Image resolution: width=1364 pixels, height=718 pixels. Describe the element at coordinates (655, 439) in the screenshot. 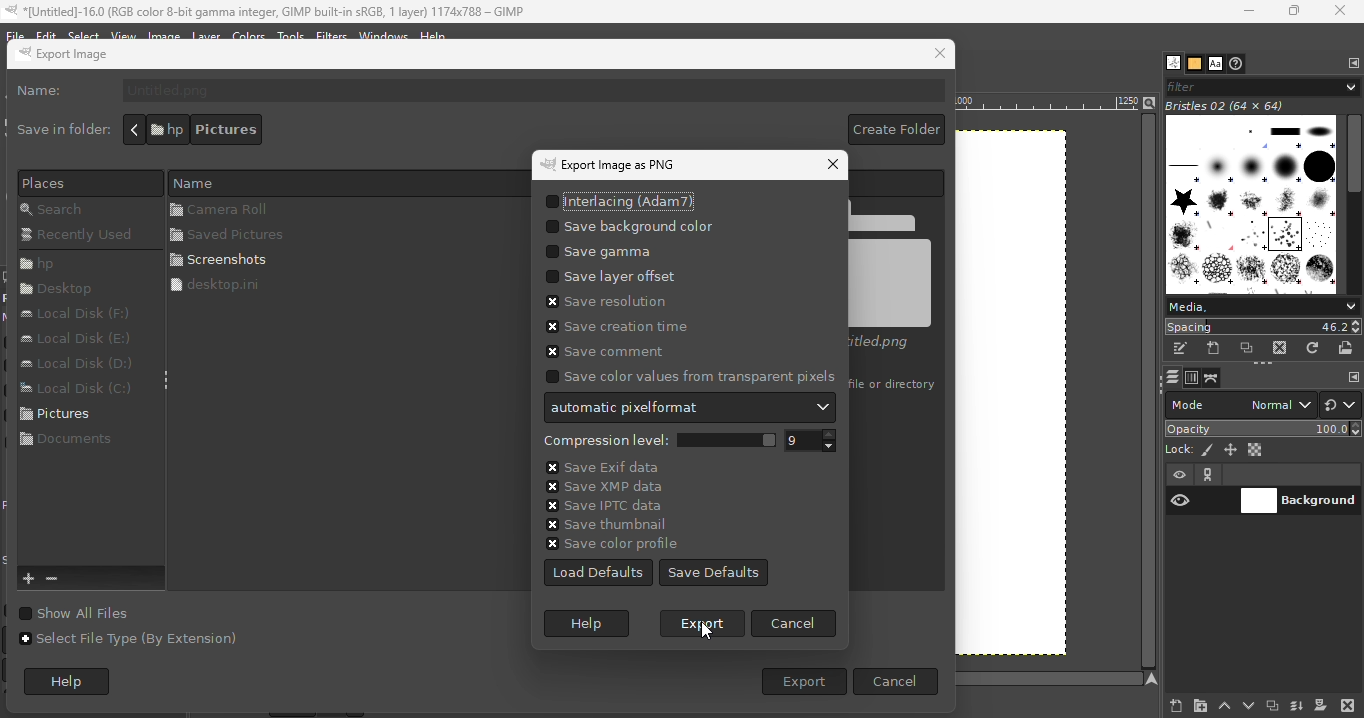

I see `Compression level` at that location.